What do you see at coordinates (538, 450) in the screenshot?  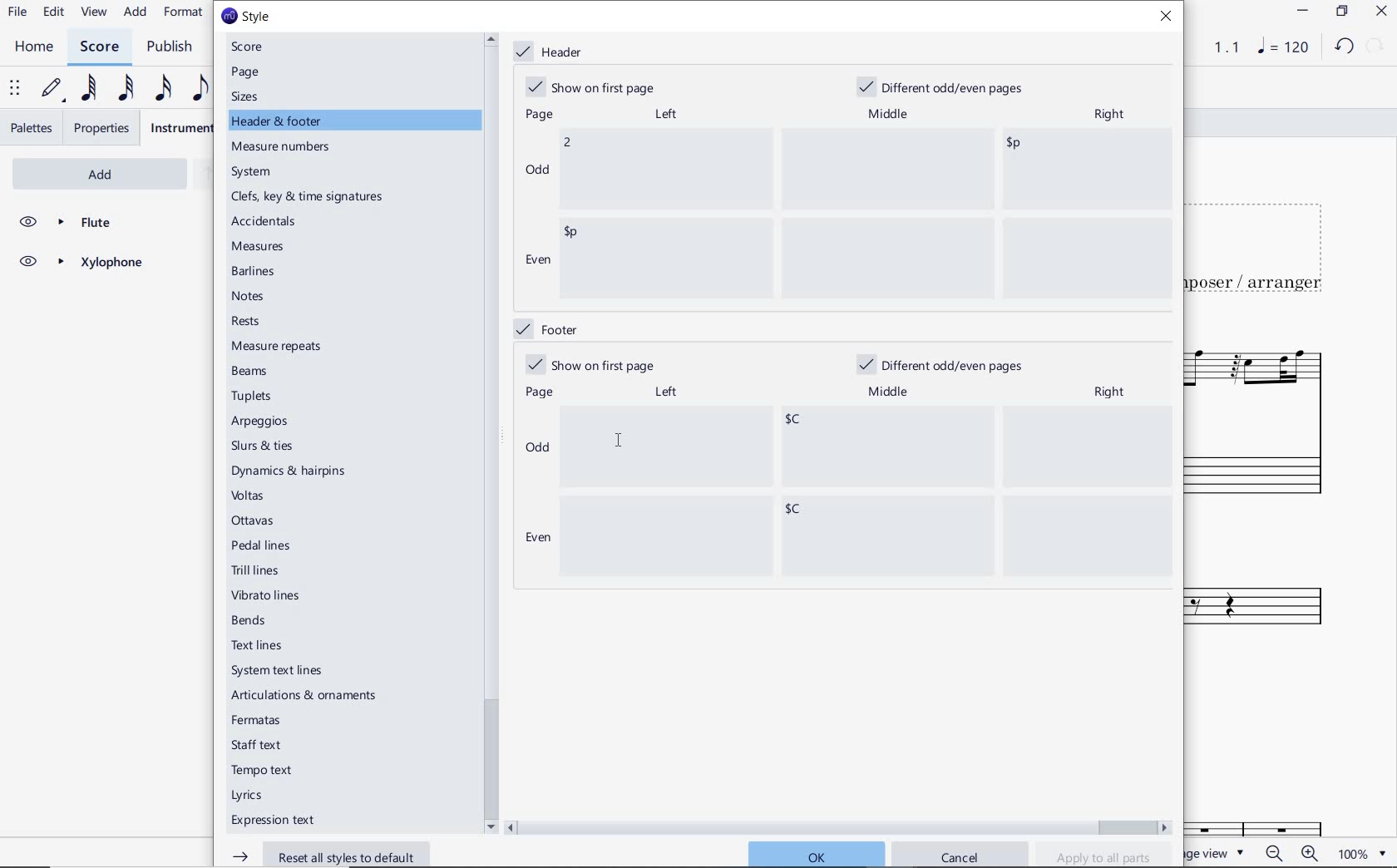 I see `odd` at bounding box center [538, 450].